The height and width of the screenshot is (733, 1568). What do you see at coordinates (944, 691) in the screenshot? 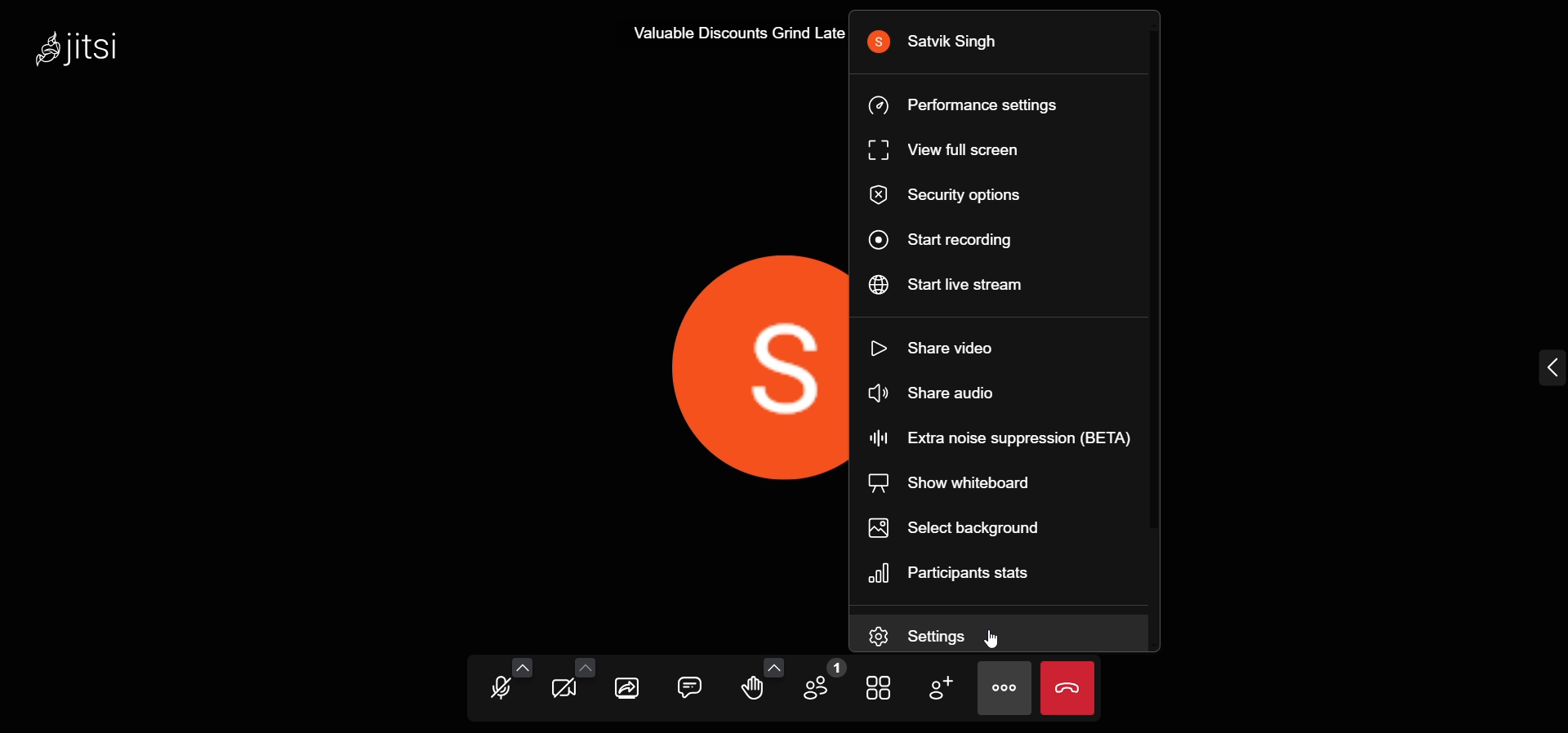
I see `invite people` at bounding box center [944, 691].